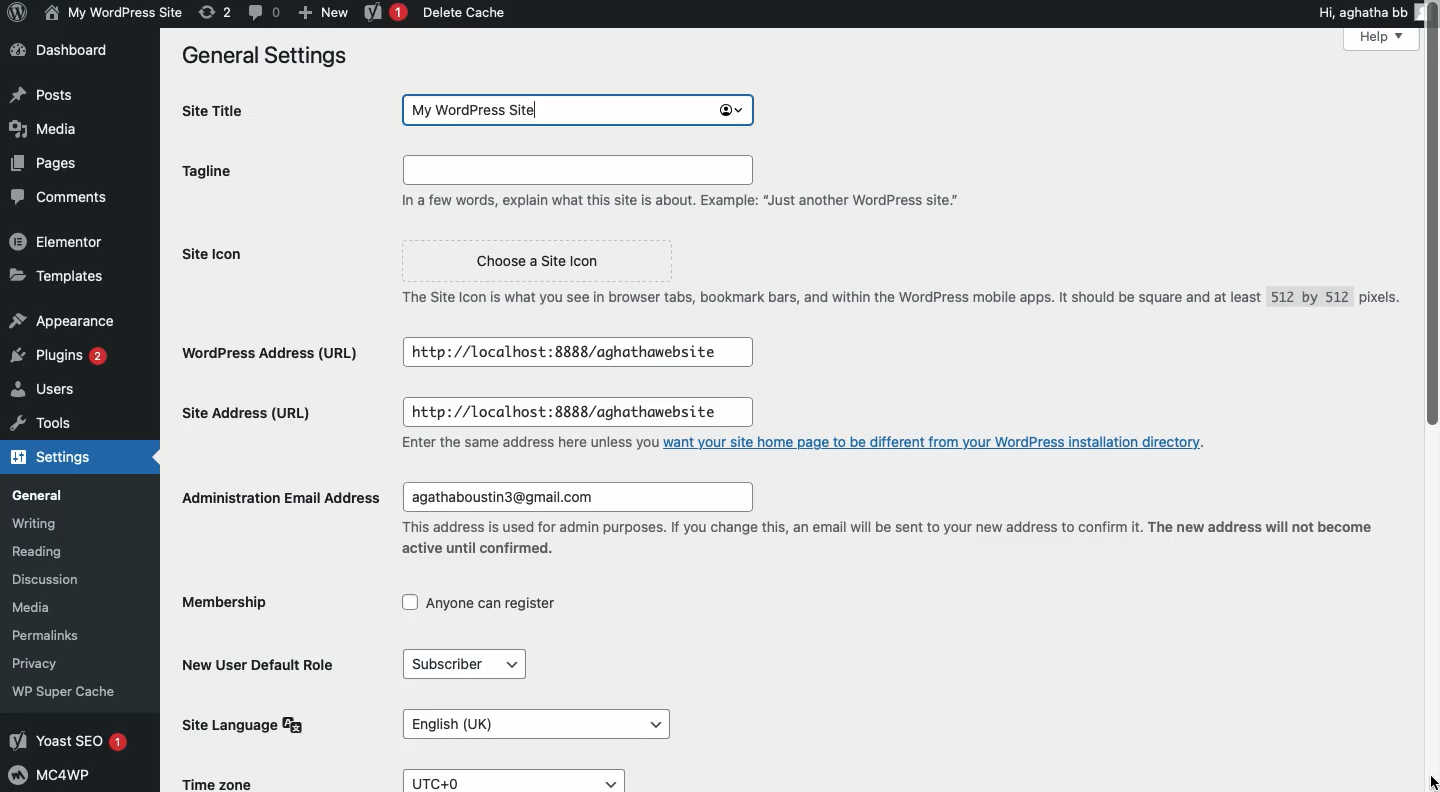  I want to click on Discussion, so click(41, 582).